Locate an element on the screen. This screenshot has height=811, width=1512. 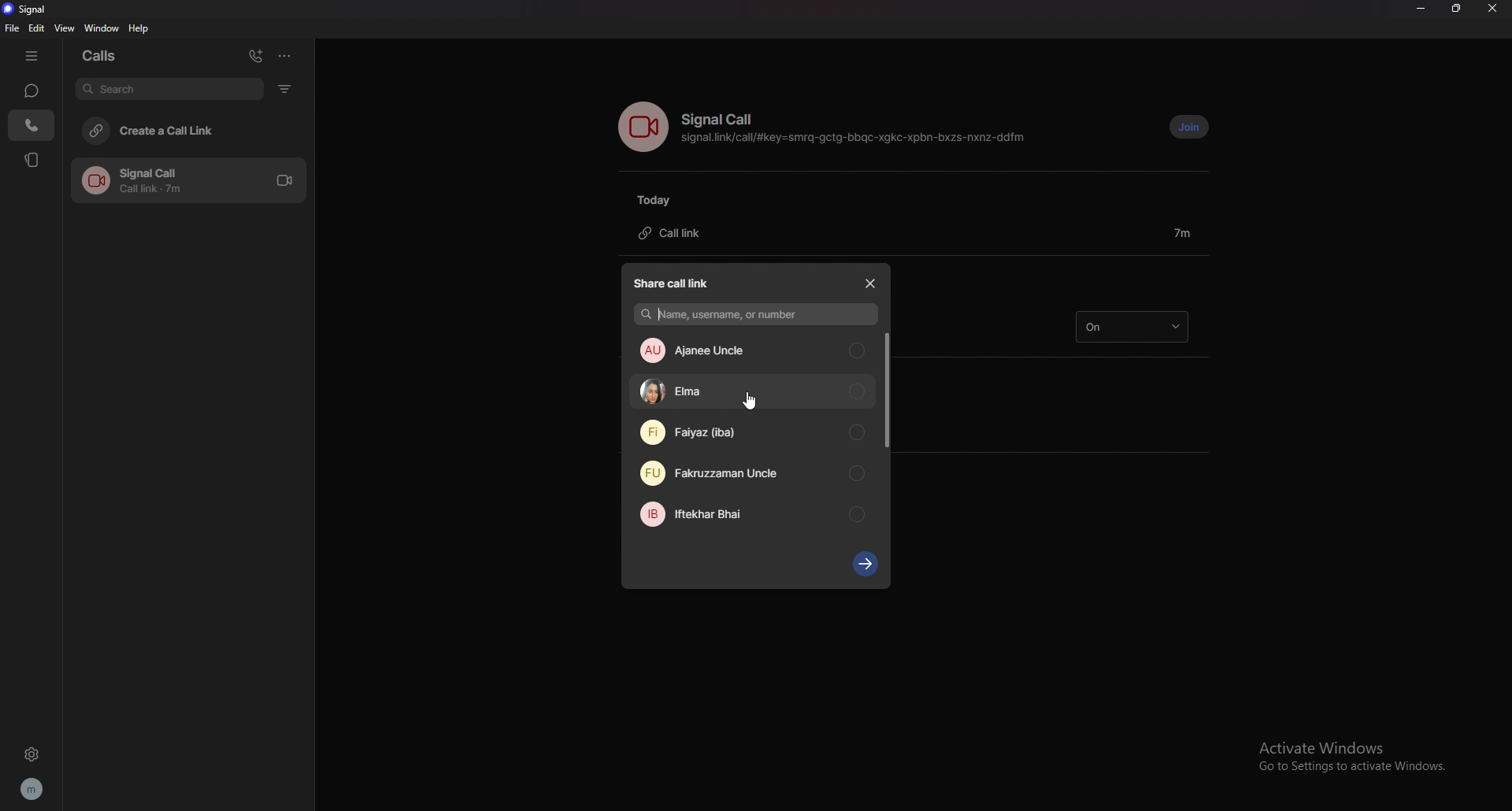
calls is located at coordinates (32, 124).